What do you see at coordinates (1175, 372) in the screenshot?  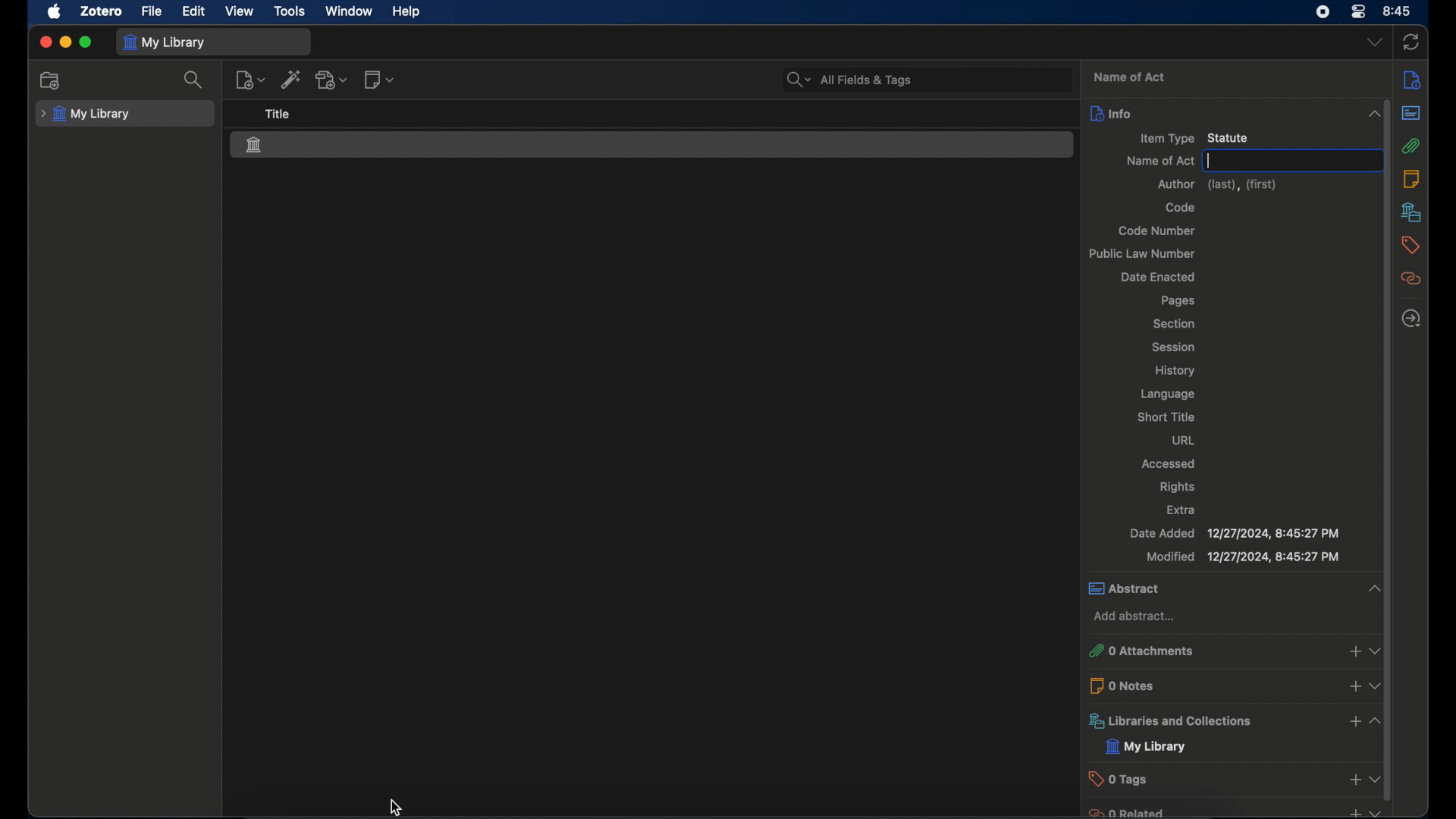 I see `history` at bounding box center [1175, 372].